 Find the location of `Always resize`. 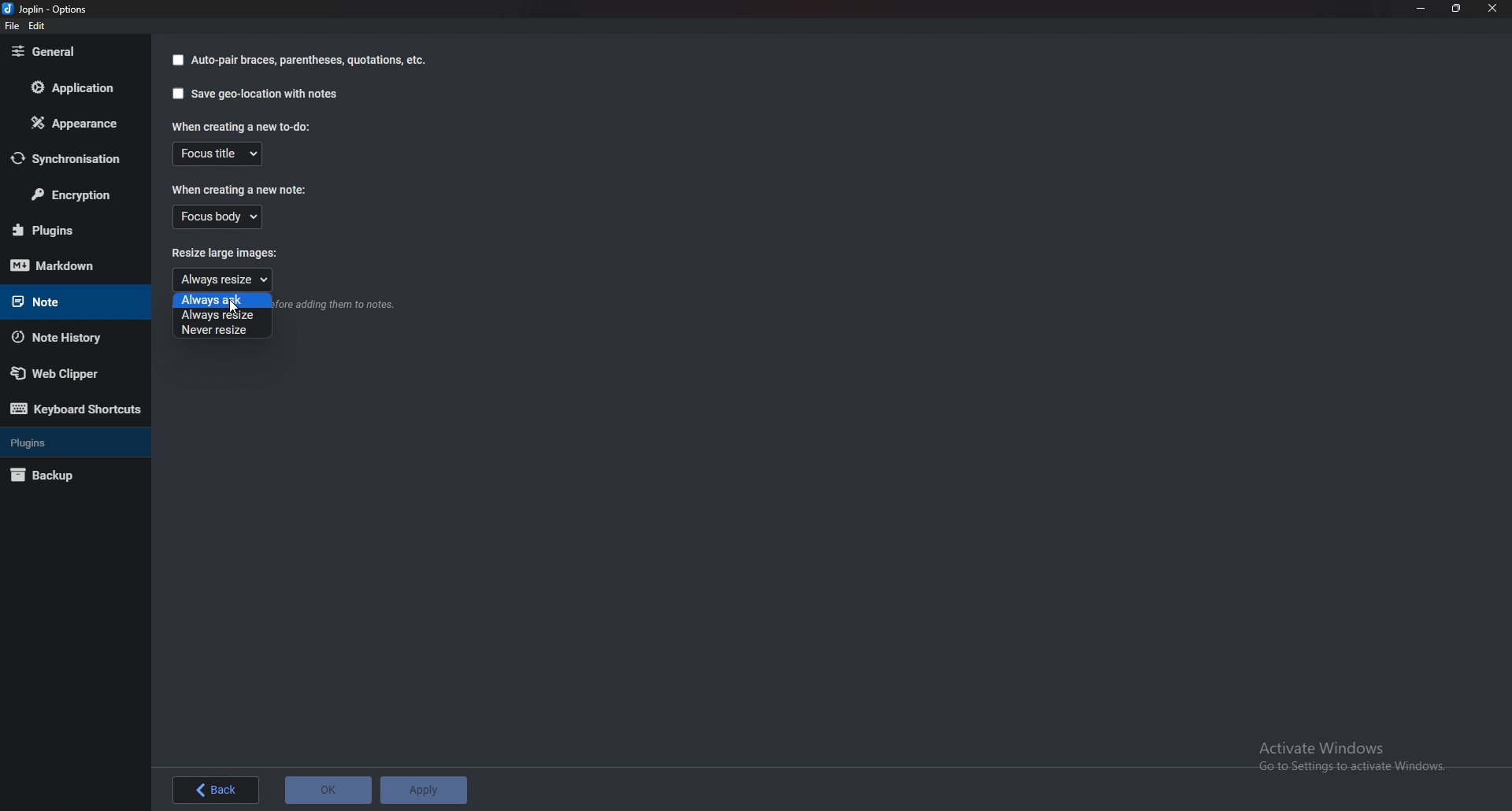

Always resize is located at coordinates (222, 316).